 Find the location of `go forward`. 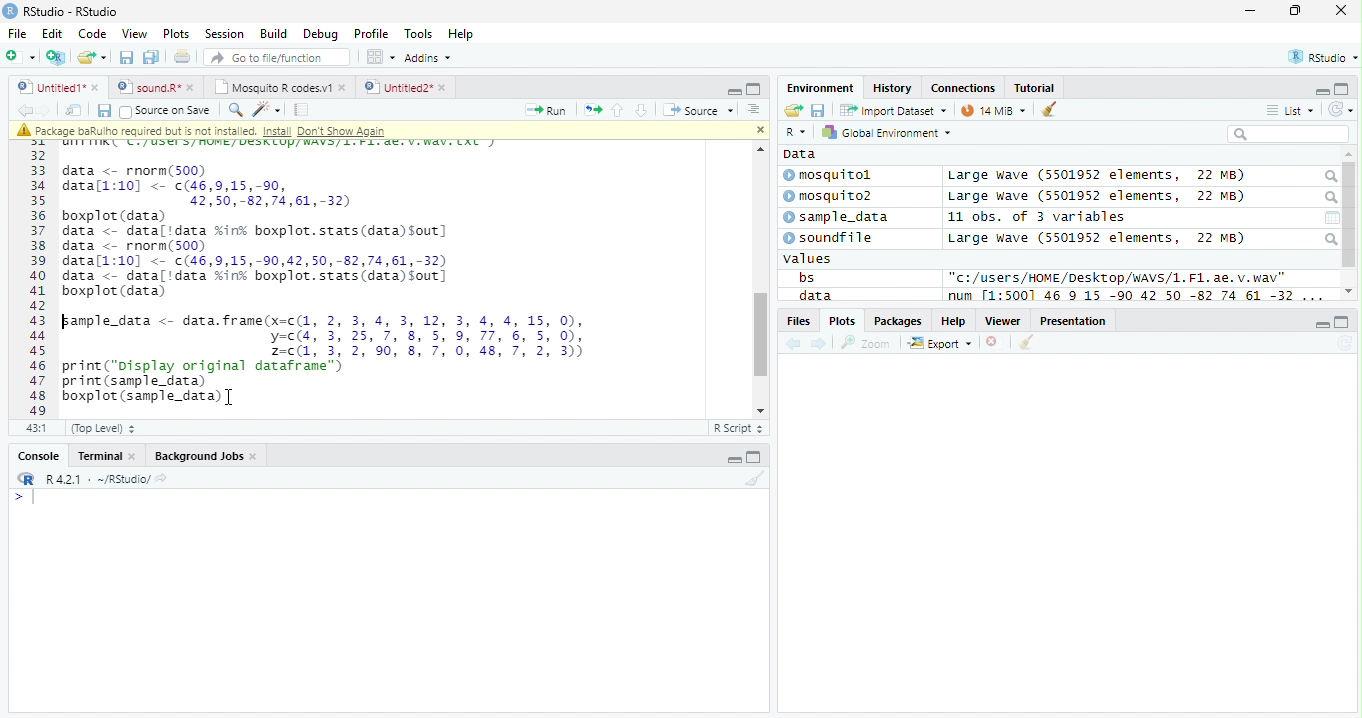

go forward is located at coordinates (820, 345).